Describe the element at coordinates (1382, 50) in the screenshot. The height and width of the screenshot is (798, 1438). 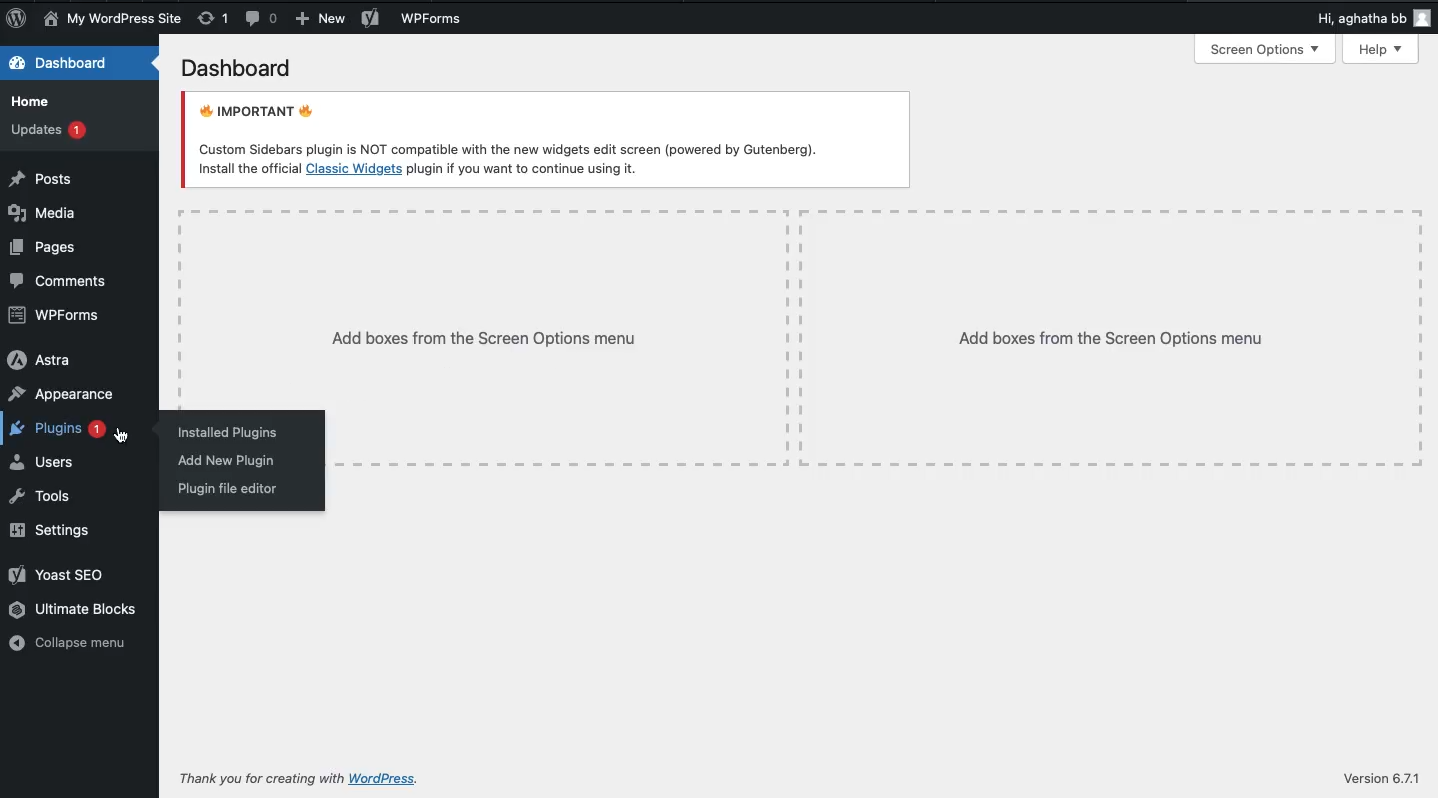
I see `Help` at that location.